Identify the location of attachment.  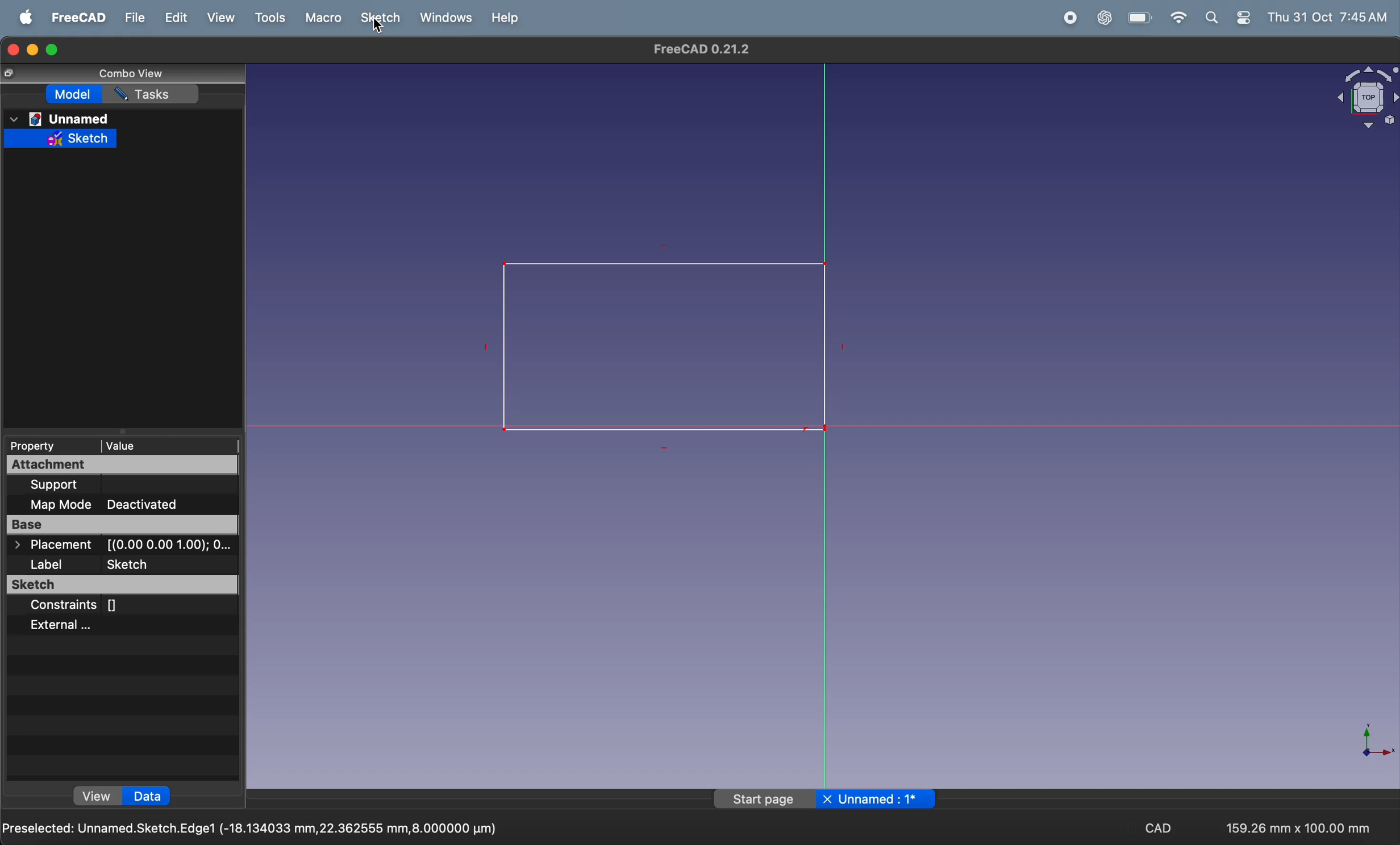
(123, 464).